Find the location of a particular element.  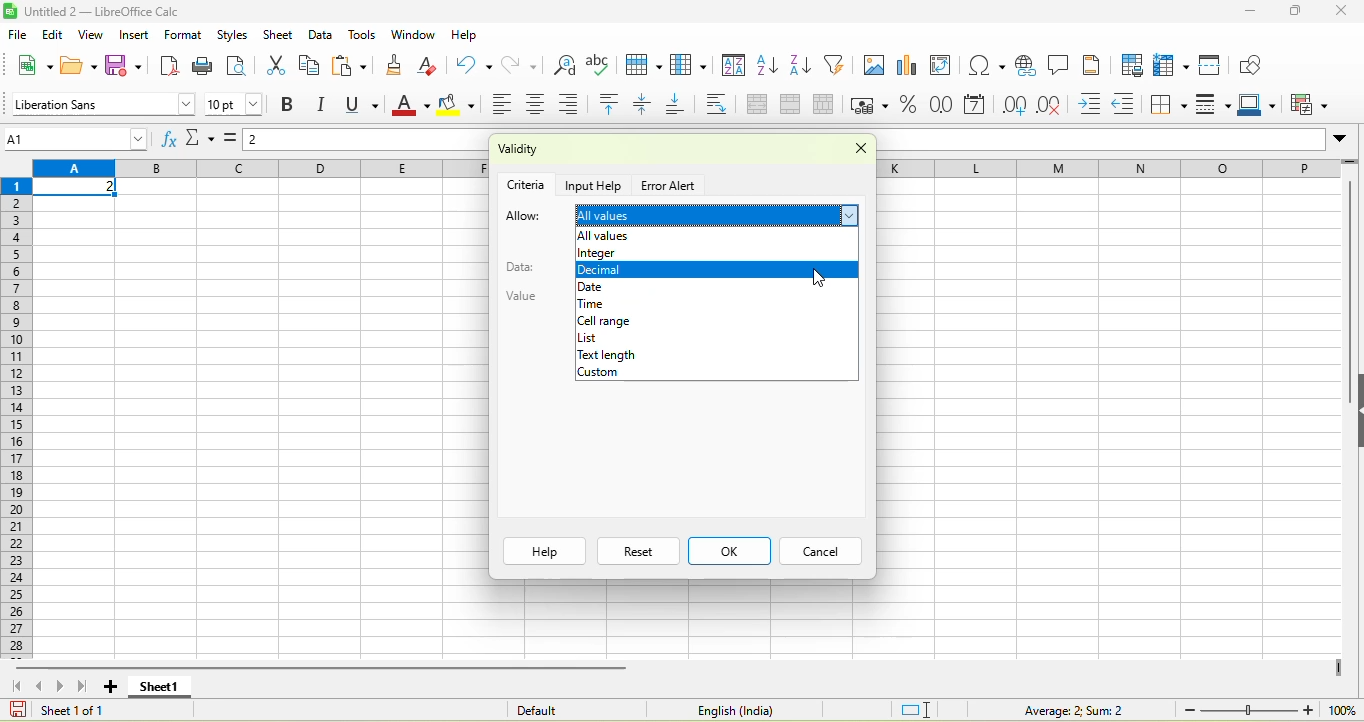

format as number is located at coordinates (943, 106).